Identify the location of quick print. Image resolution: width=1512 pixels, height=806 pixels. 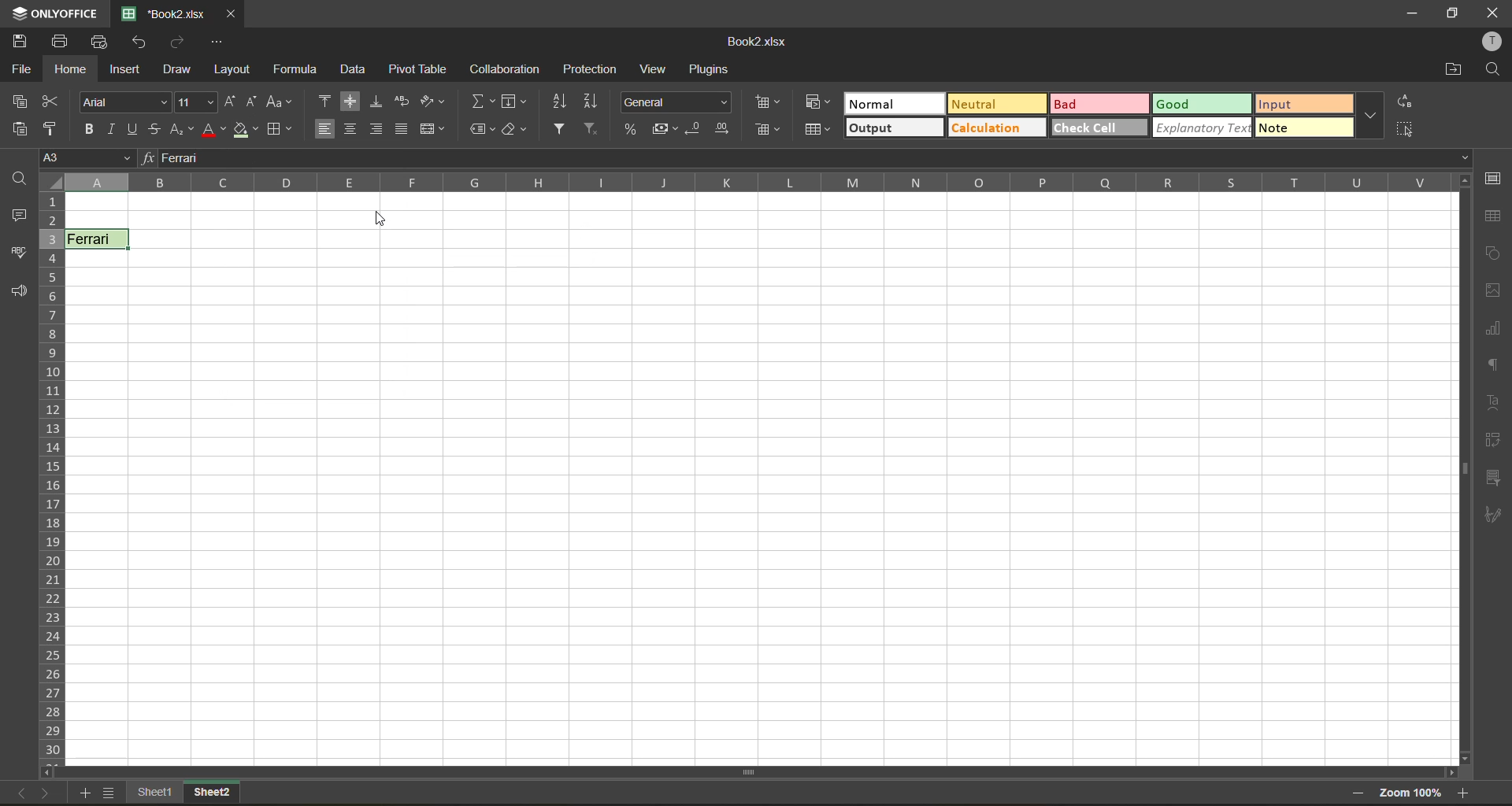
(100, 43).